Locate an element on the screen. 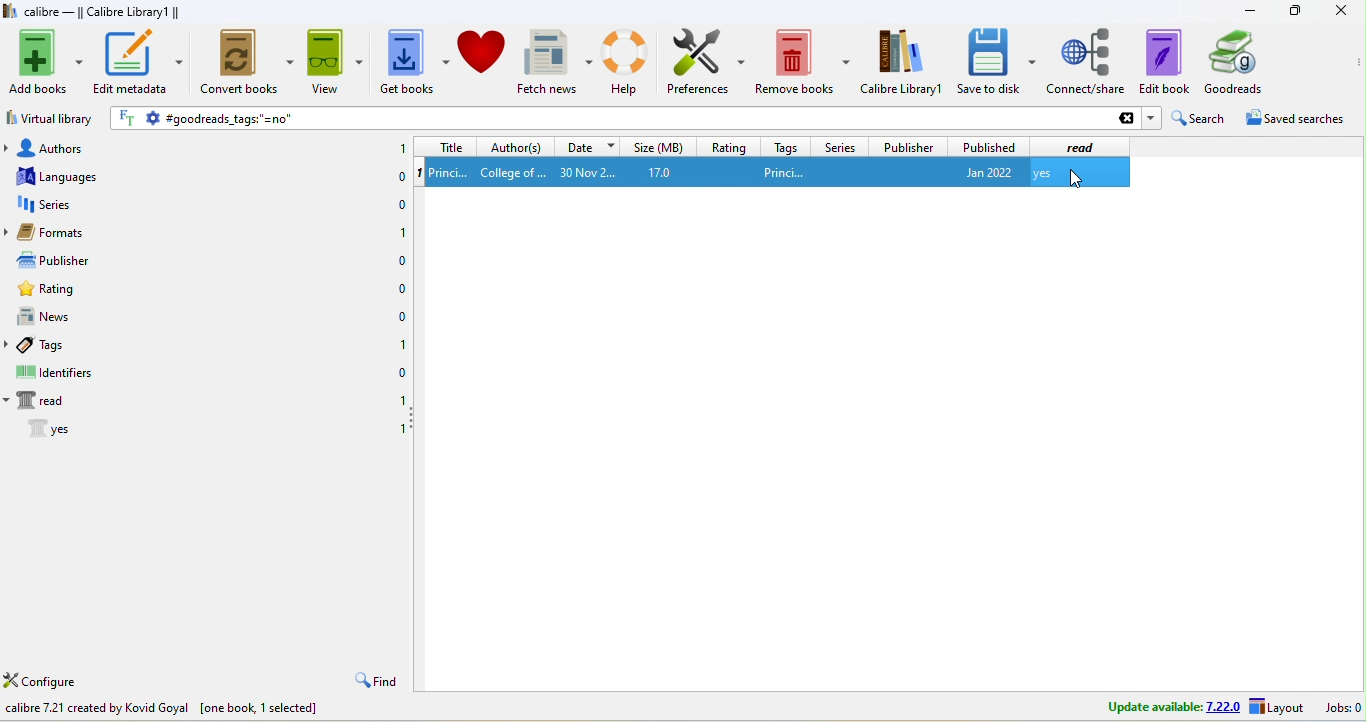 The image size is (1366, 722). donate is located at coordinates (484, 60).